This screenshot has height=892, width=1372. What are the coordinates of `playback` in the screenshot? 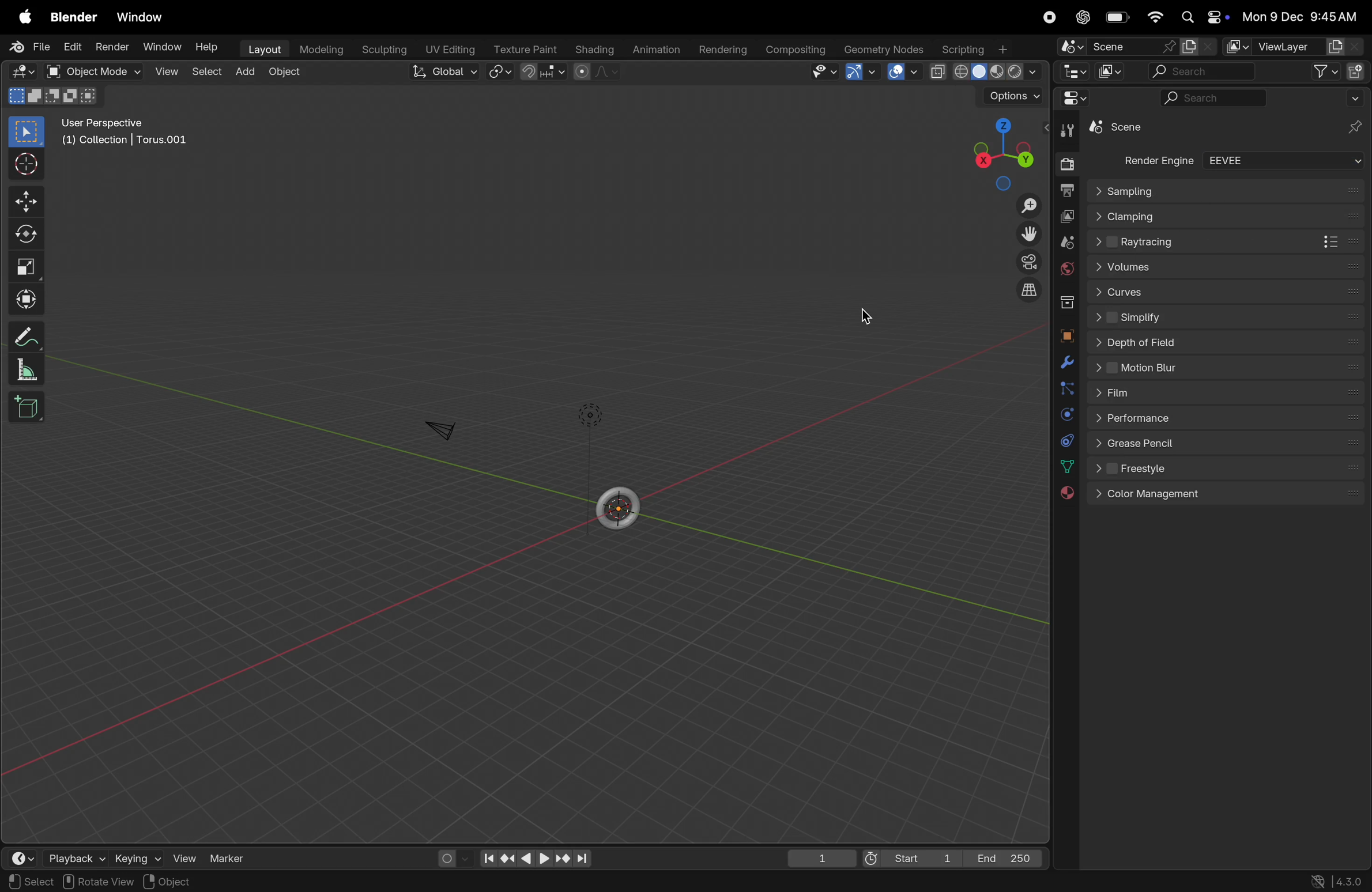 It's located at (72, 859).